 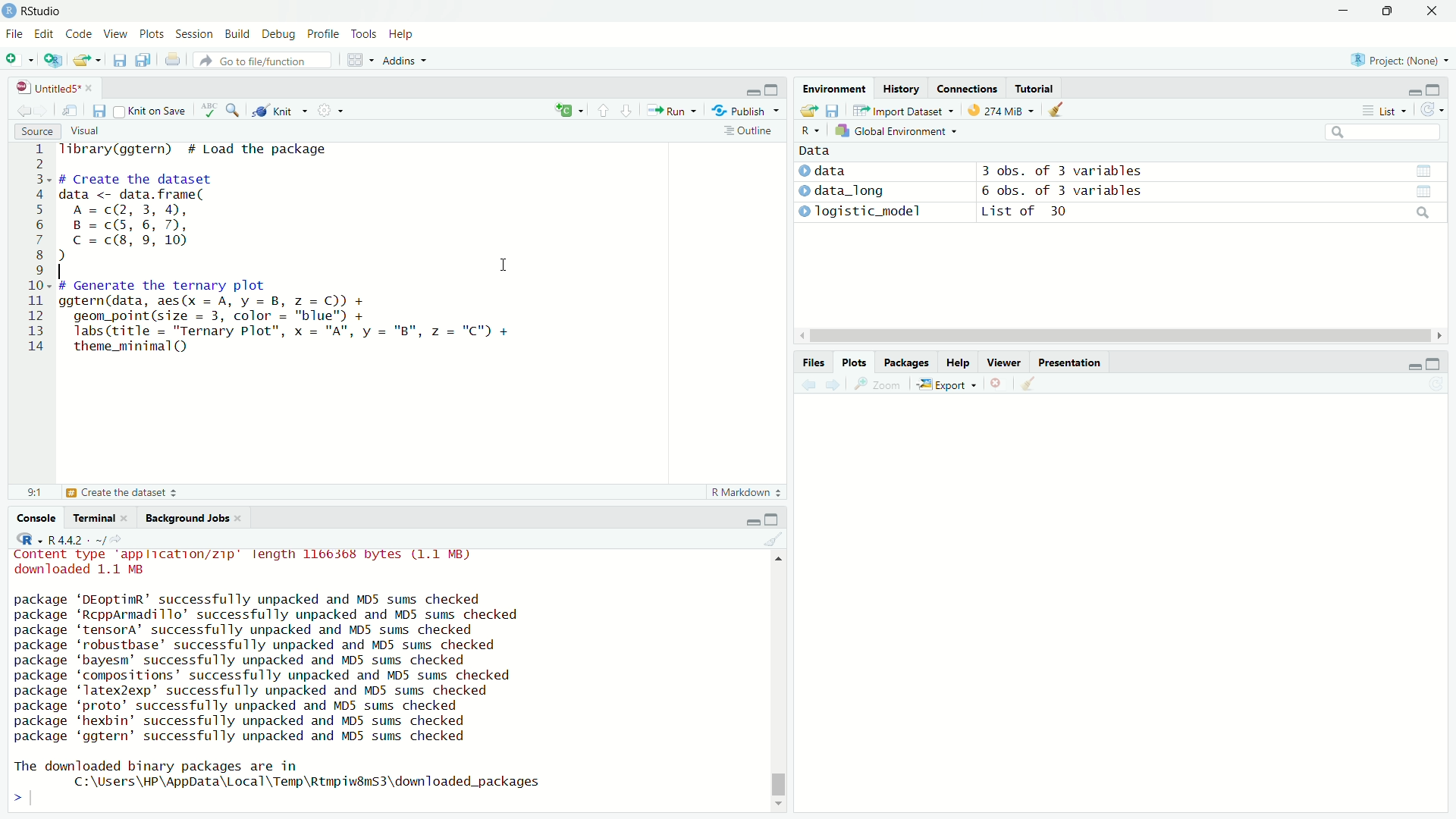 I want to click on refresh, so click(x=1432, y=112).